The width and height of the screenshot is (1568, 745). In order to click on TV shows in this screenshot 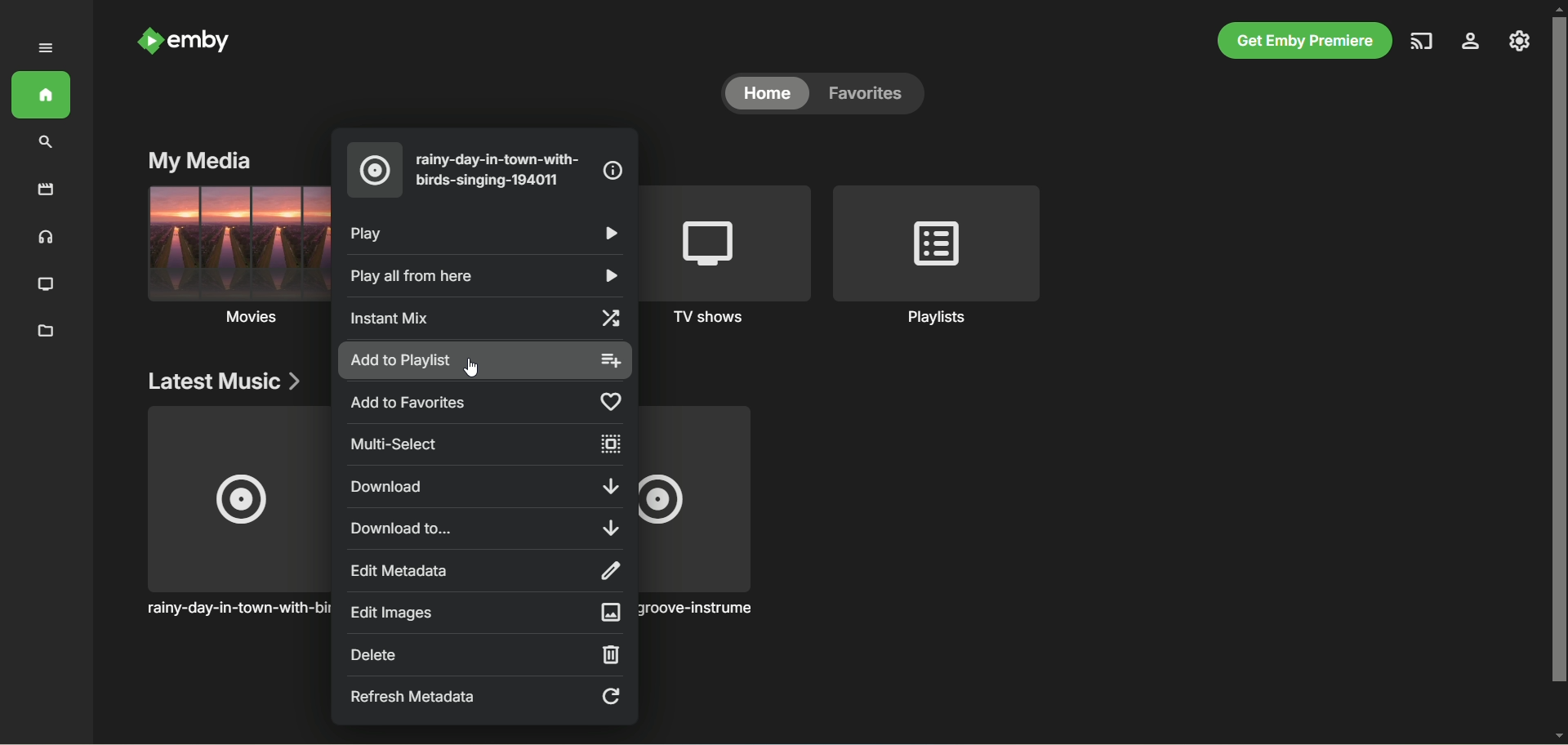, I will do `click(731, 258)`.